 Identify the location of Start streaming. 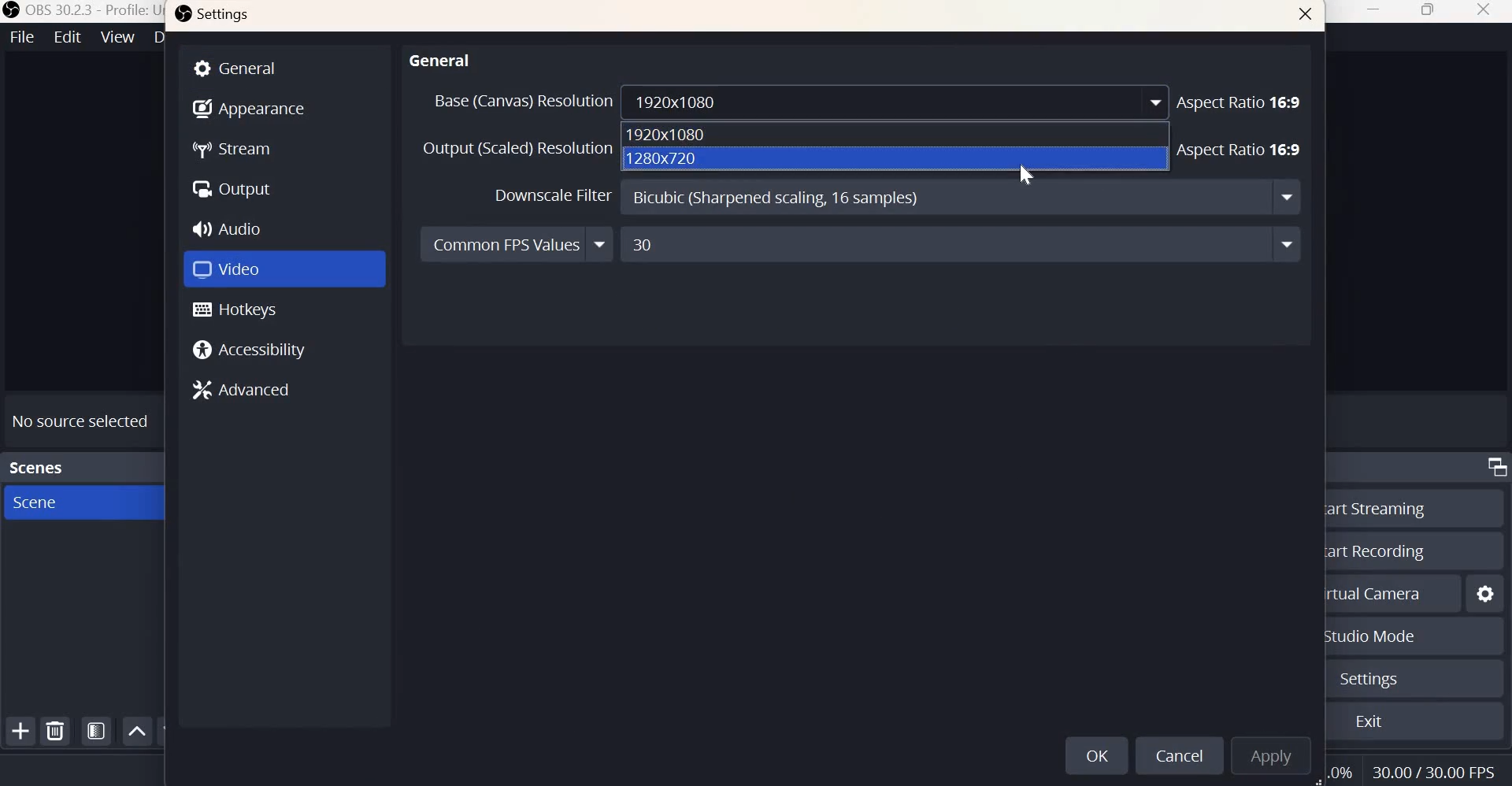
(1374, 507).